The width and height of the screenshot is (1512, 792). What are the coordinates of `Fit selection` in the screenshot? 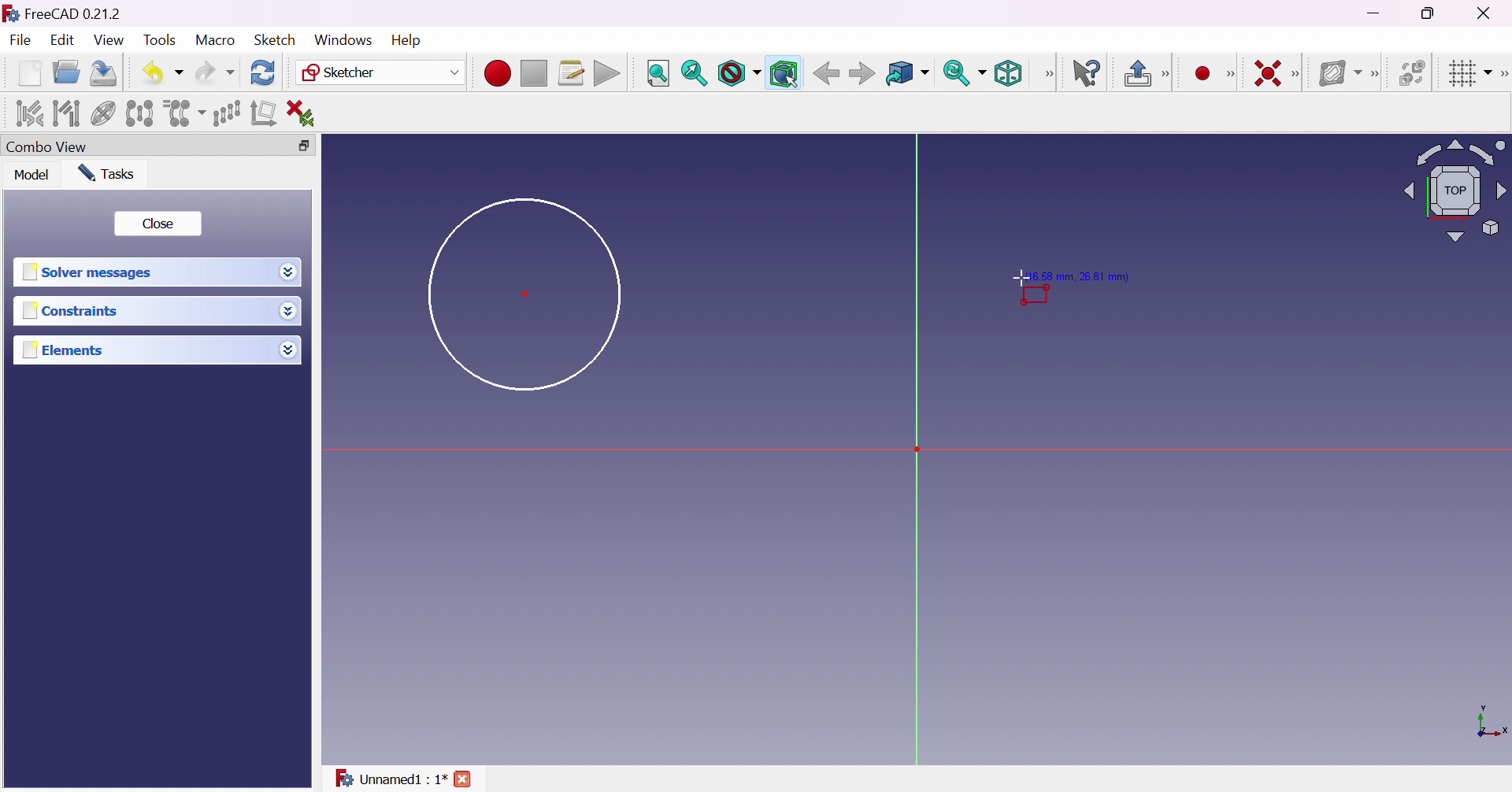 It's located at (694, 73).